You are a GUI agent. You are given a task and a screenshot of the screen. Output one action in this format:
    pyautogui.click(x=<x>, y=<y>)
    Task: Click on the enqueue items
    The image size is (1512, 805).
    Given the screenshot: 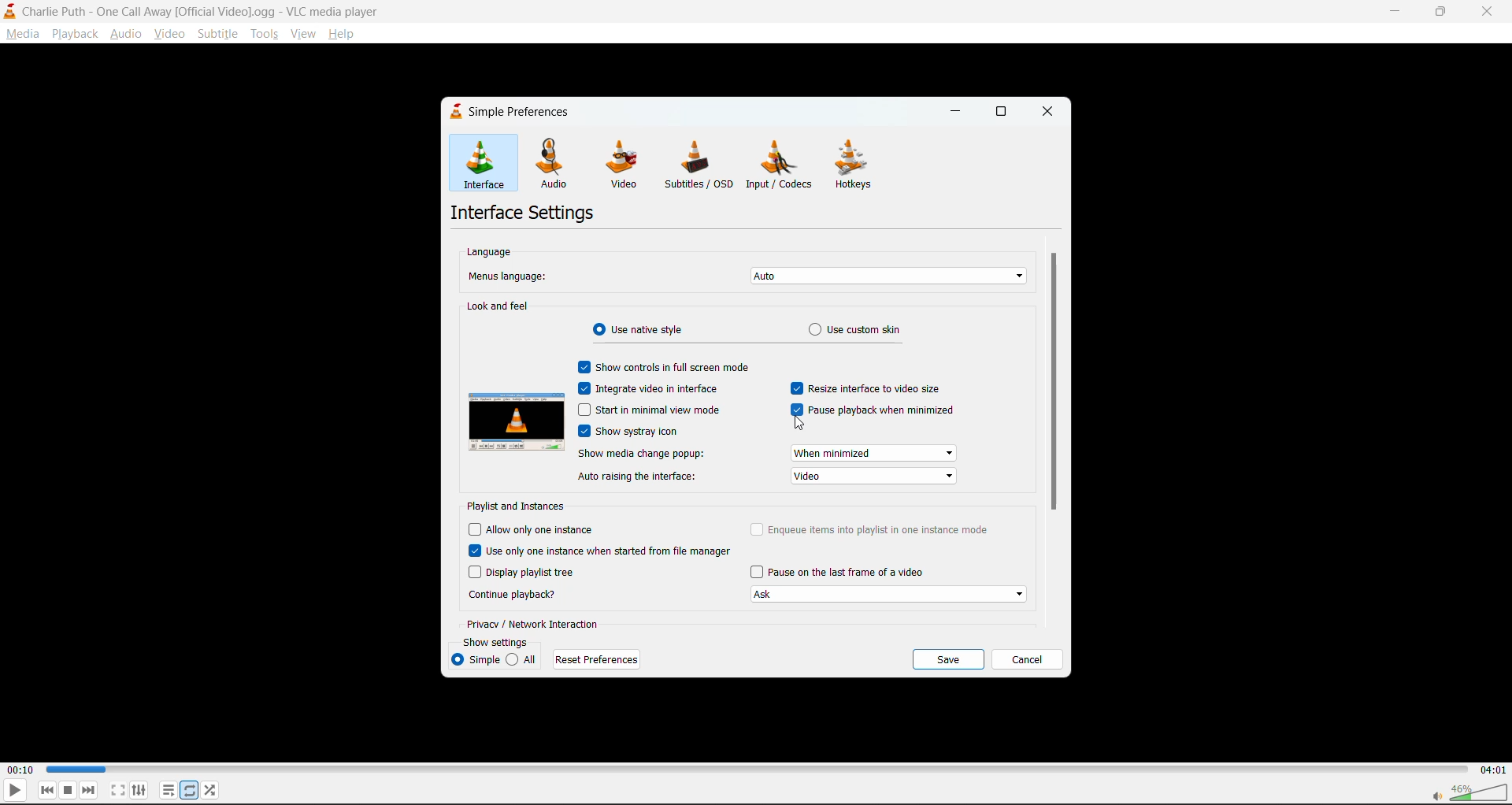 What is the action you would take?
    pyautogui.click(x=885, y=530)
    